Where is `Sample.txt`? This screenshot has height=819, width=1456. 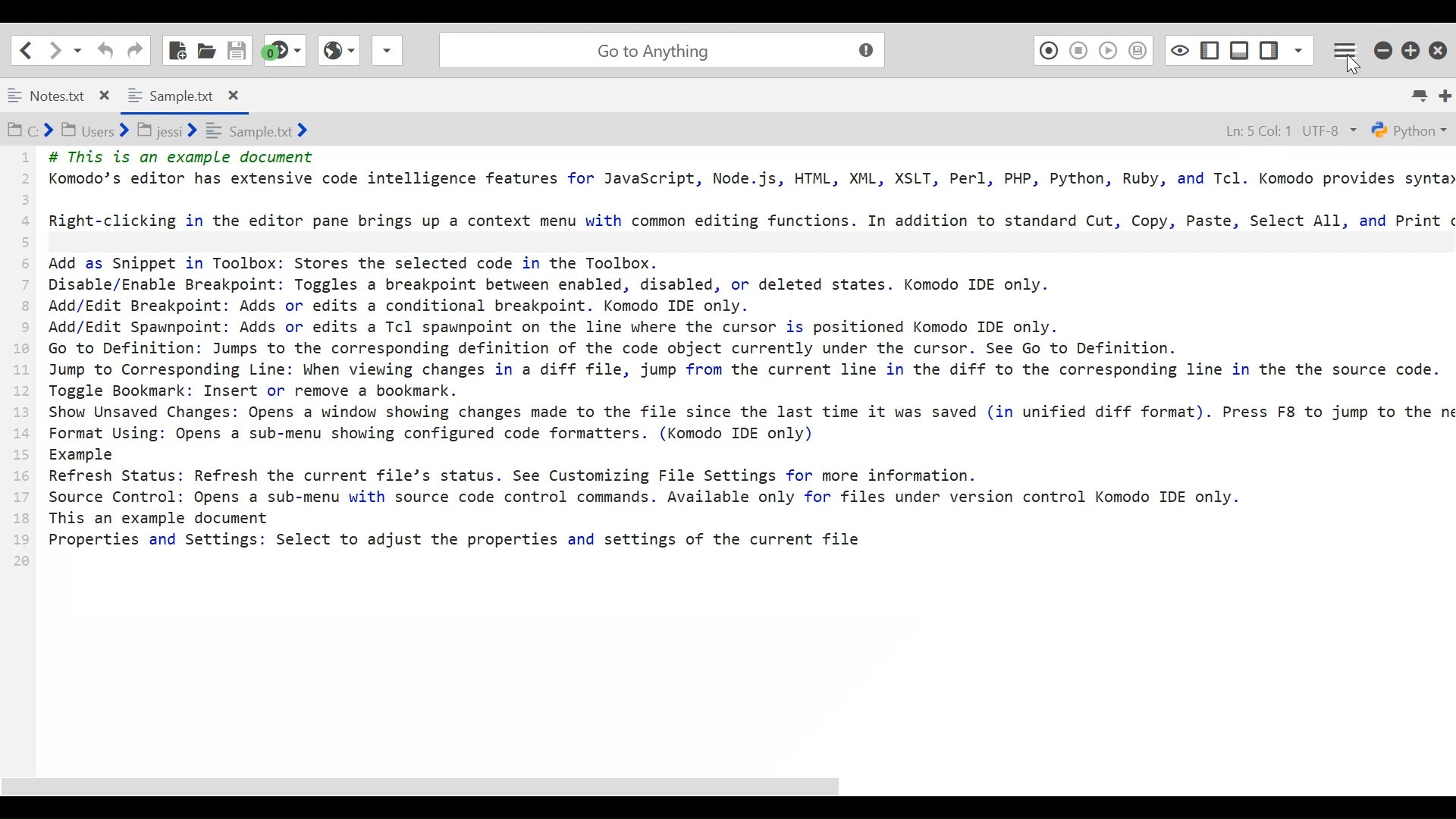
Sample.txt is located at coordinates (181, 93).